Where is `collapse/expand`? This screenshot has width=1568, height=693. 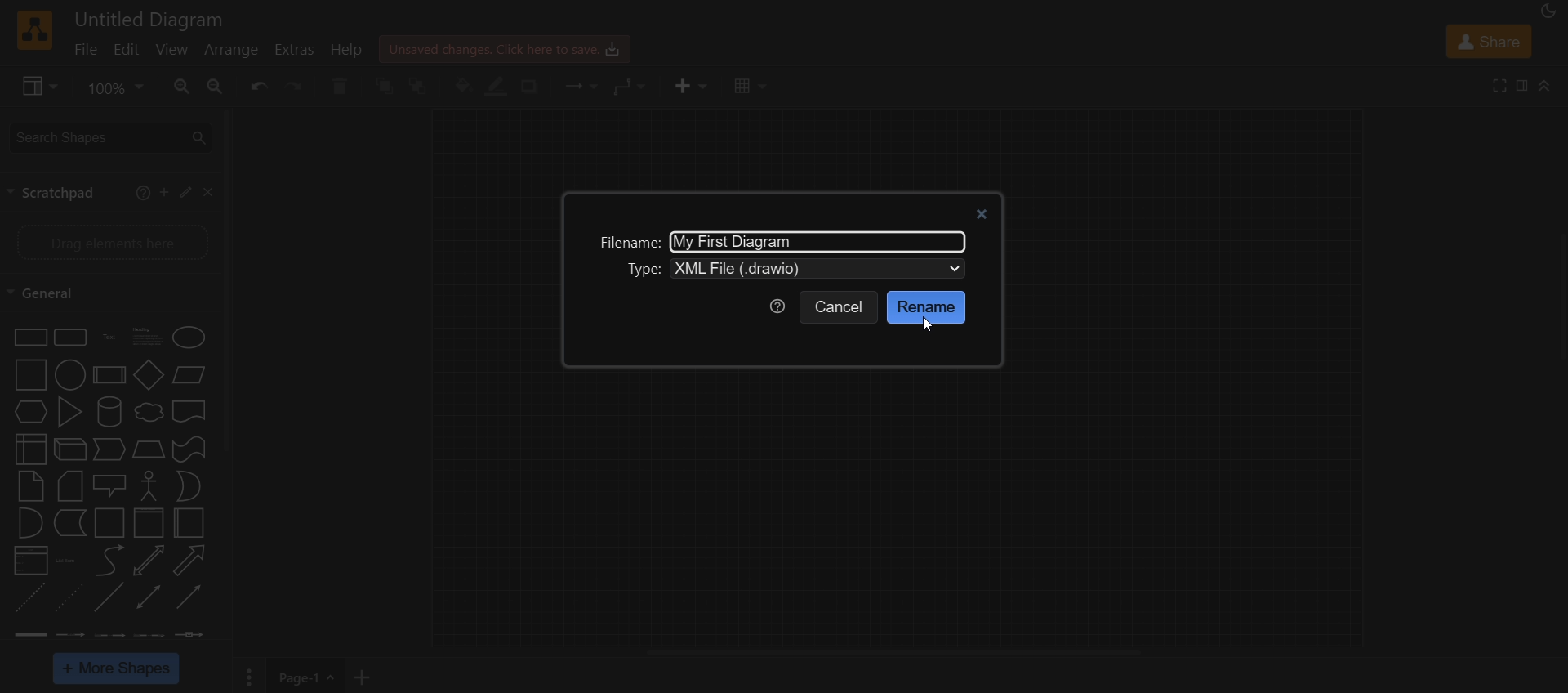 collapse/expand is located at coordinates (1545, 87).